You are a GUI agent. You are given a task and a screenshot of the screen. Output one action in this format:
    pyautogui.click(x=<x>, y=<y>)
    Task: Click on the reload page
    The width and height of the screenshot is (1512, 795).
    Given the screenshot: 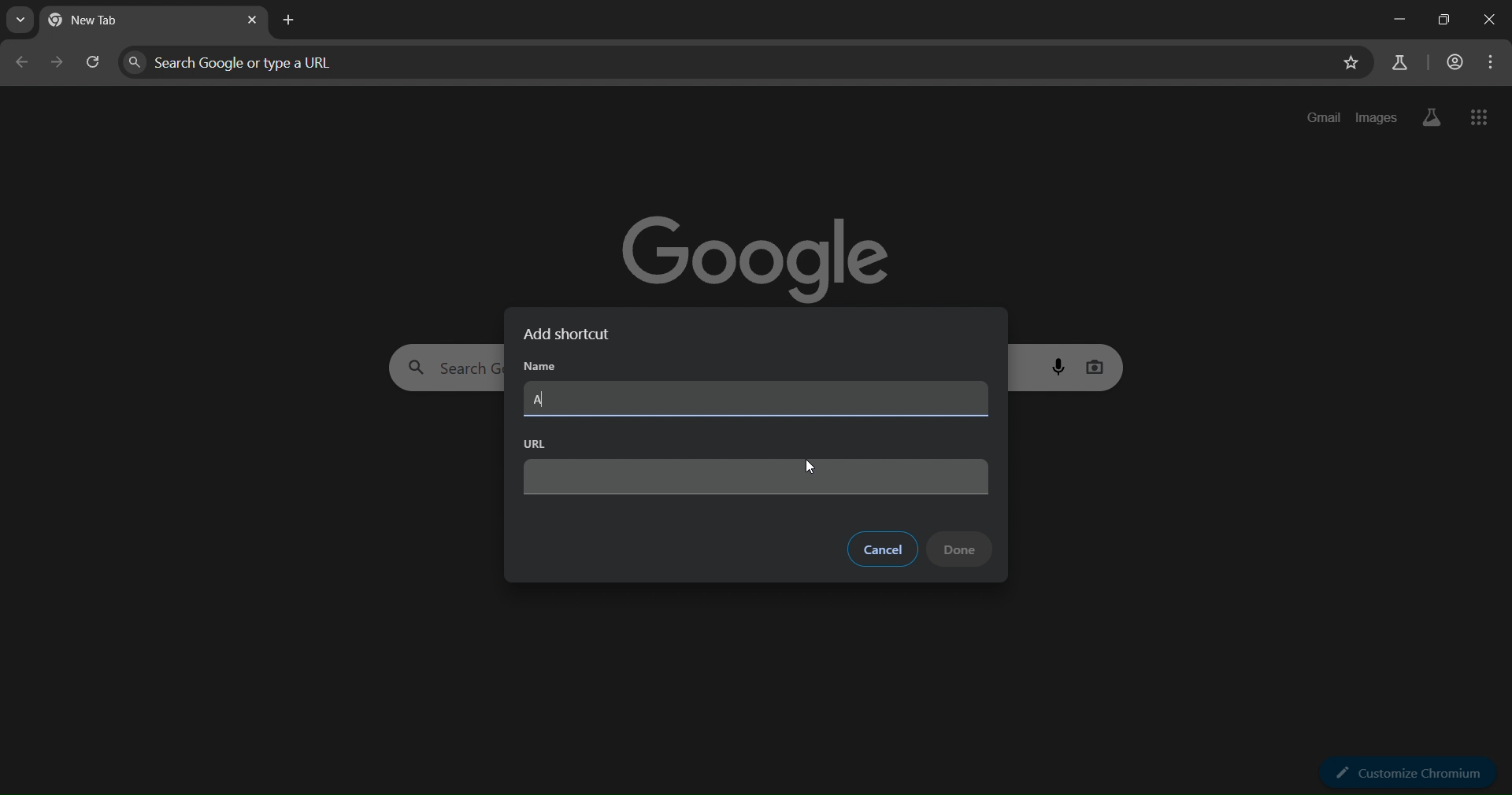 What is the action you would take?
    pyautogui.click(x=94, y=66)
    